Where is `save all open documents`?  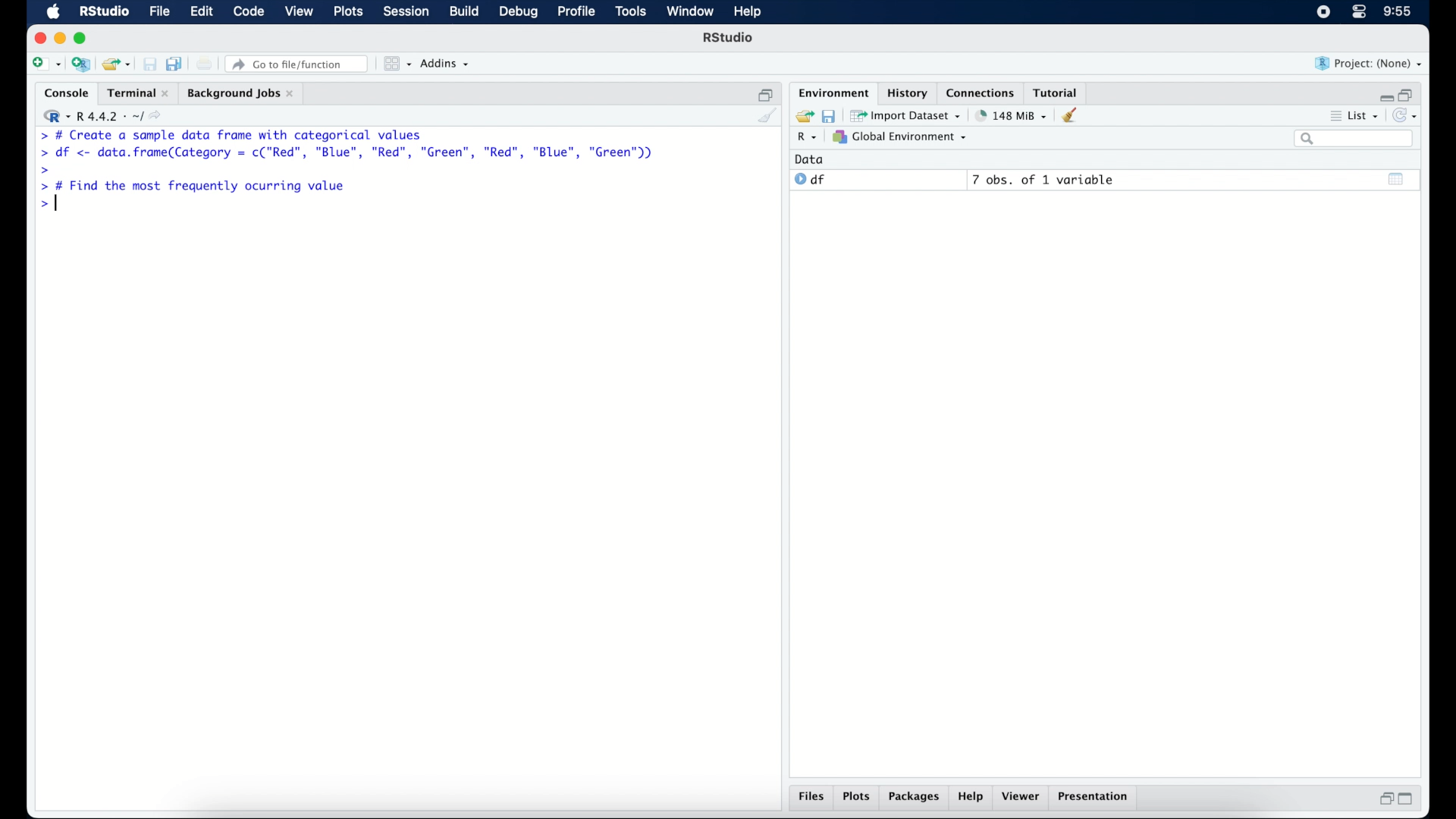
save all open documents is located at coordinates (174, 62).